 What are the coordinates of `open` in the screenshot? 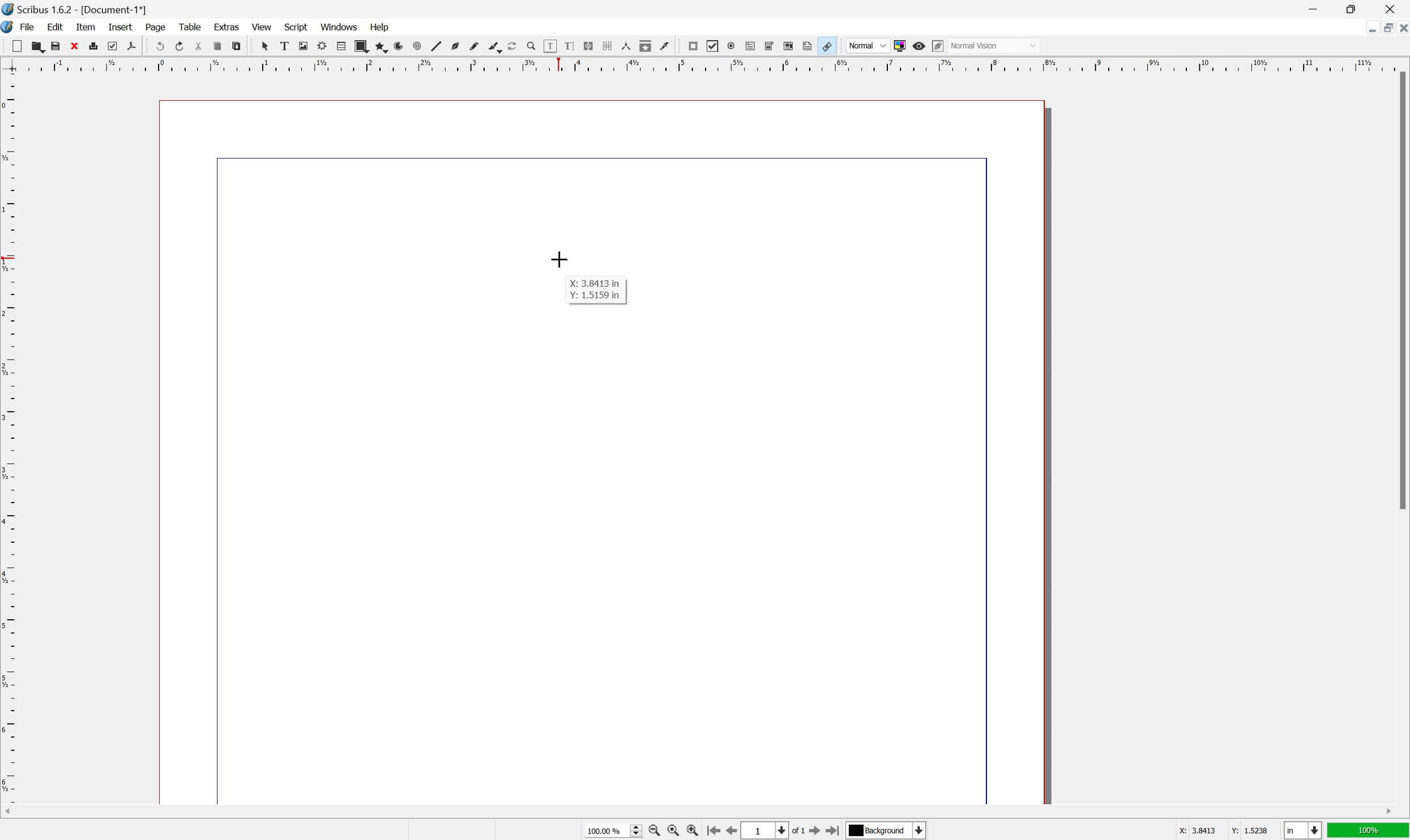 It's located at (39, 46).